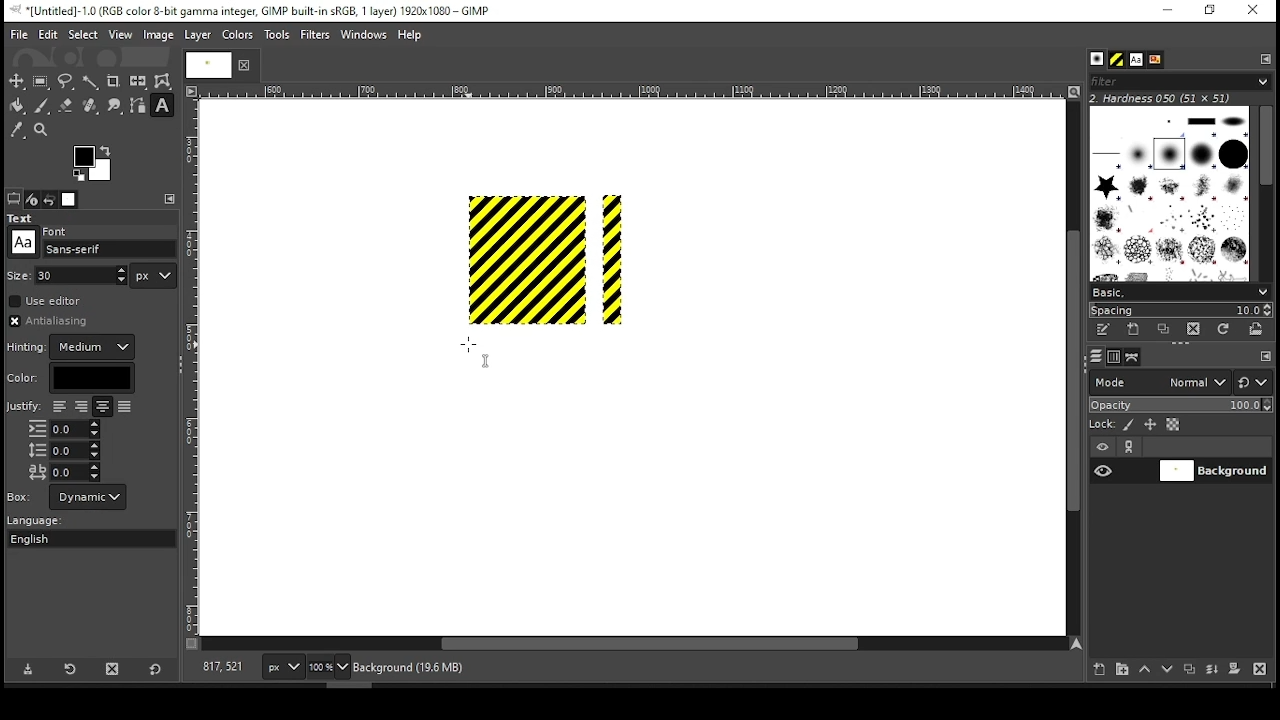  I want to click on , so click(205, 64).